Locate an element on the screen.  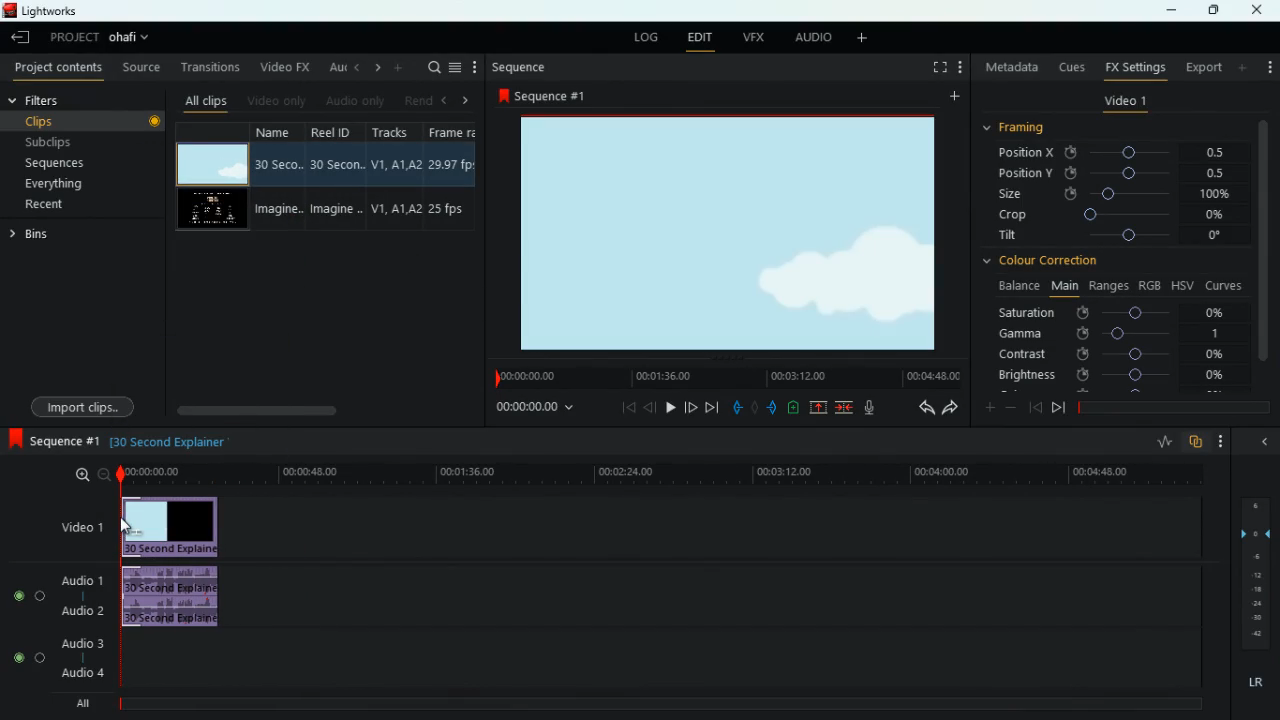
framing is located at coordinates (1016, 128).